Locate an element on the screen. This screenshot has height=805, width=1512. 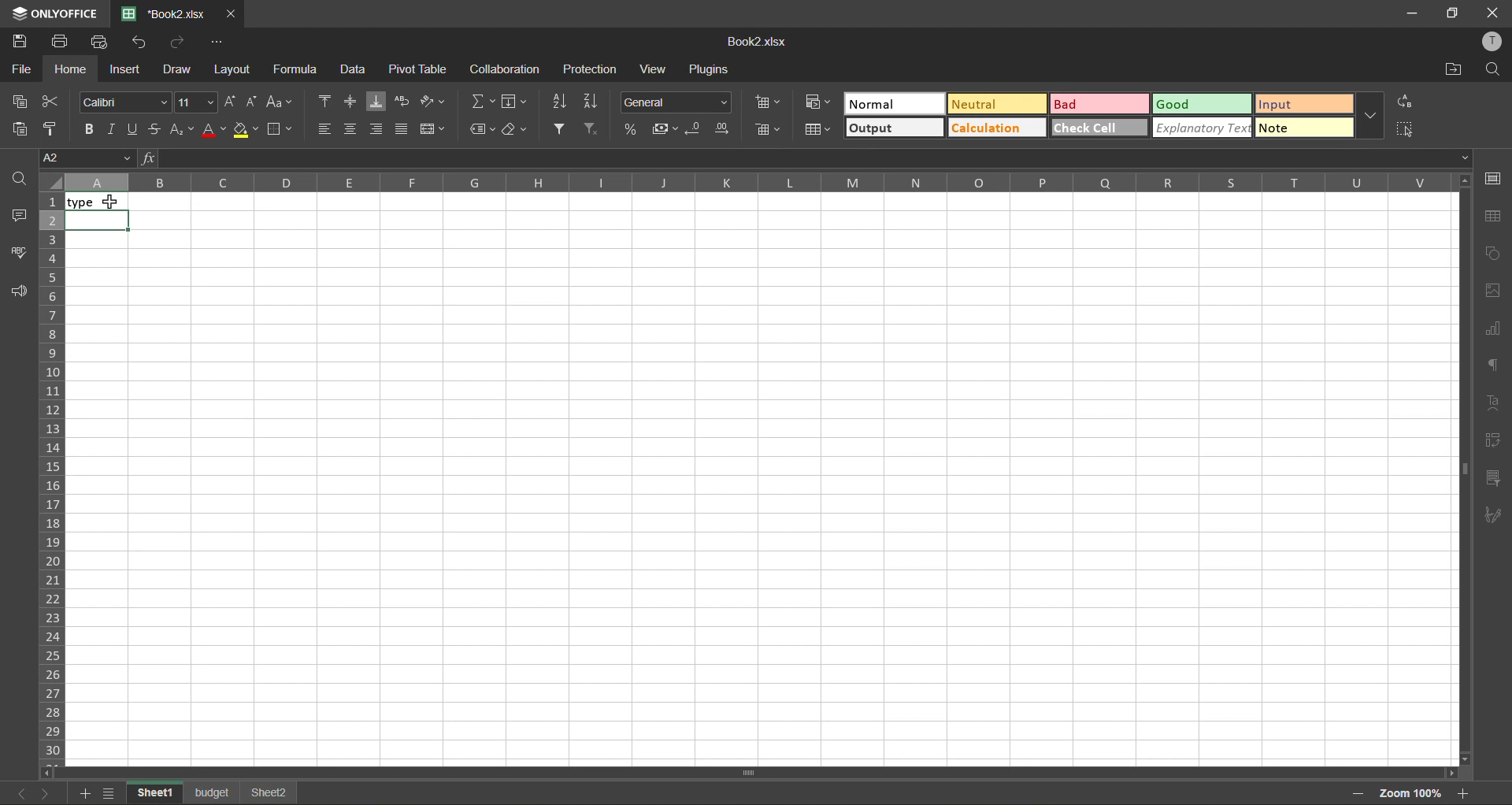
zoom factor is located at coordinates (1409, 795).